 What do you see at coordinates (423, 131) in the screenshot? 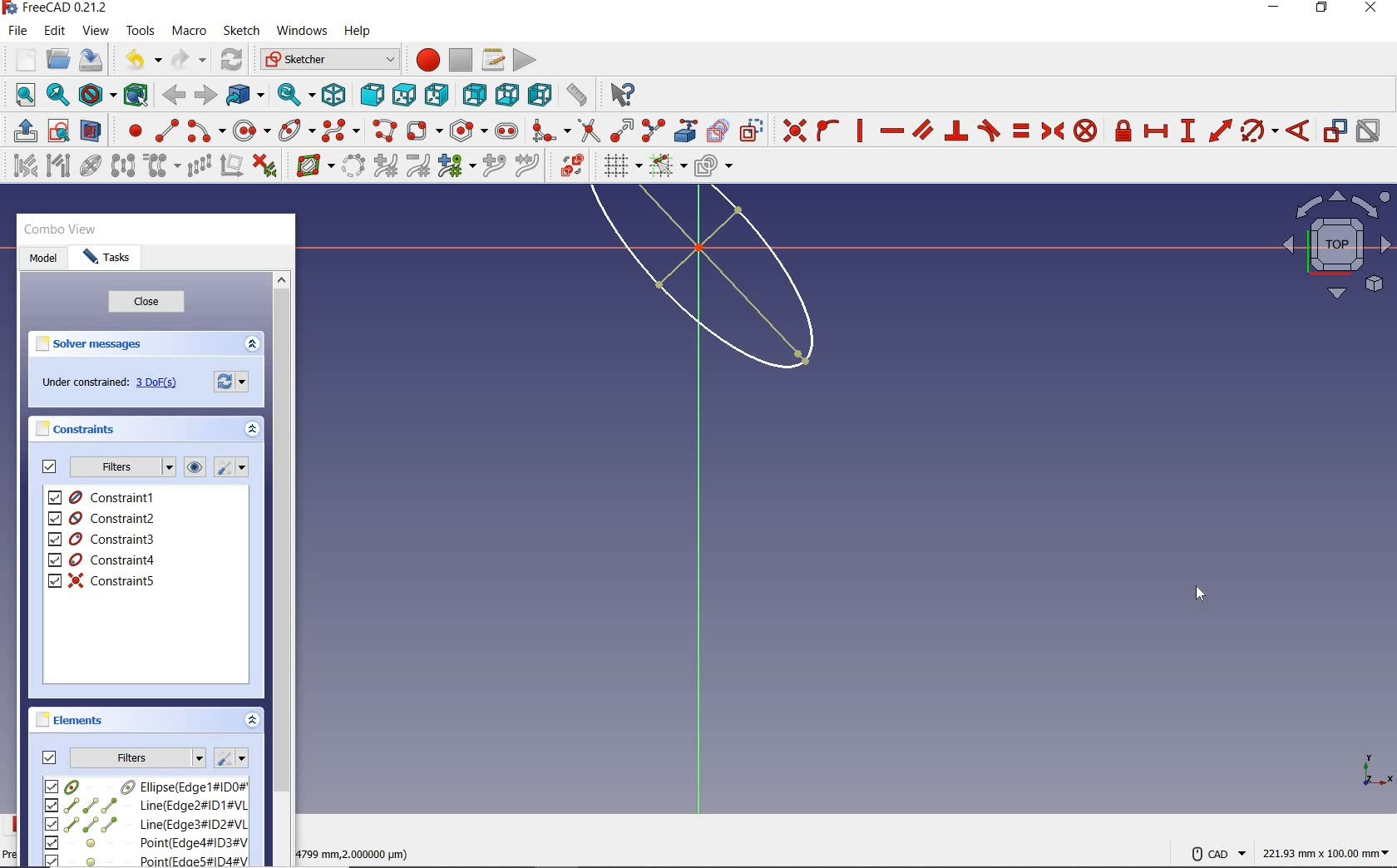
I see `create rectangle` at bounding box center [423, 131].